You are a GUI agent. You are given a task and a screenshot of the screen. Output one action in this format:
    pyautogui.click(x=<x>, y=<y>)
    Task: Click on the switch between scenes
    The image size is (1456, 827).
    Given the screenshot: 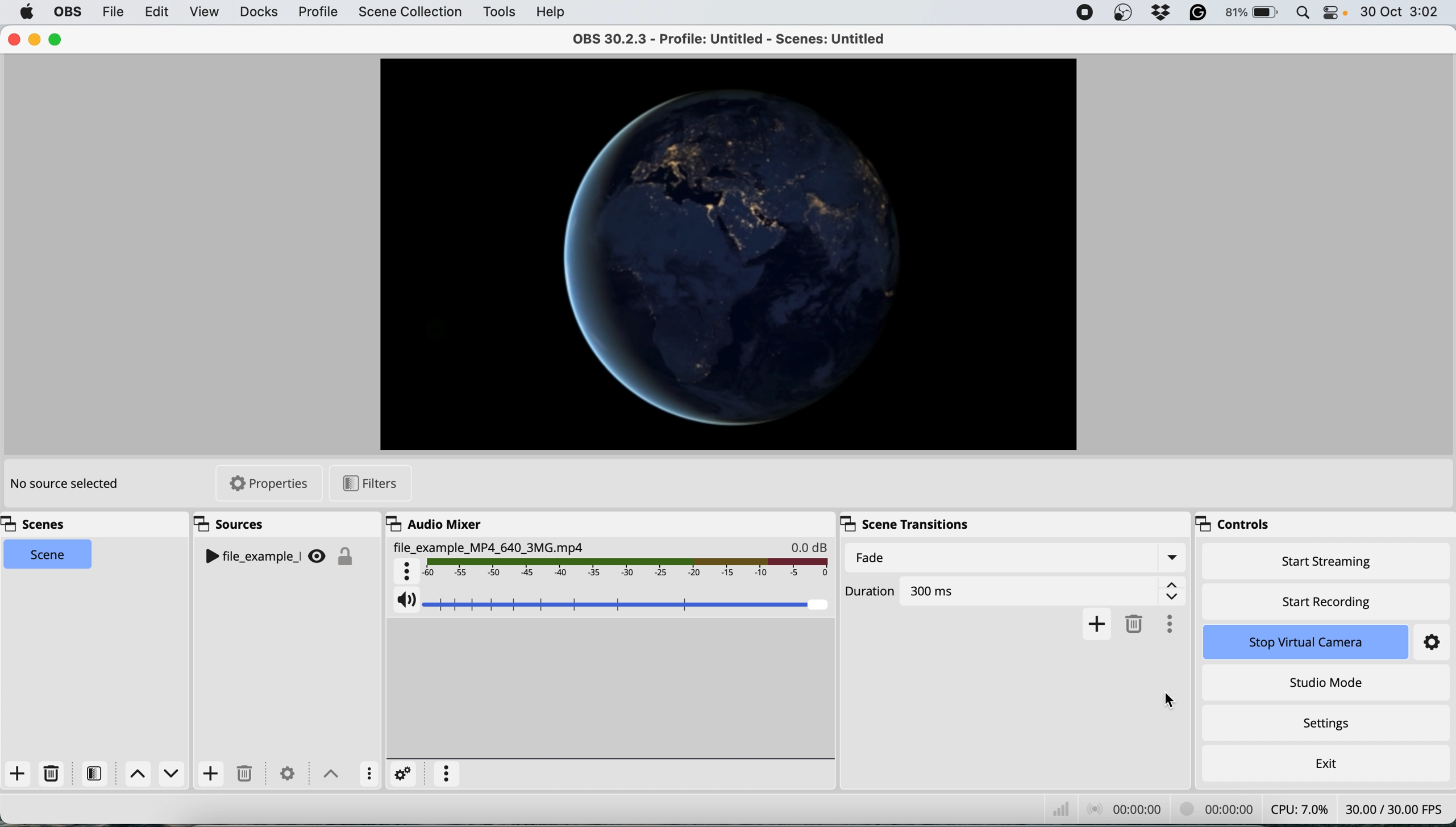 What is the action you would take?
    pyautogui.click(x=153, y=775)
    